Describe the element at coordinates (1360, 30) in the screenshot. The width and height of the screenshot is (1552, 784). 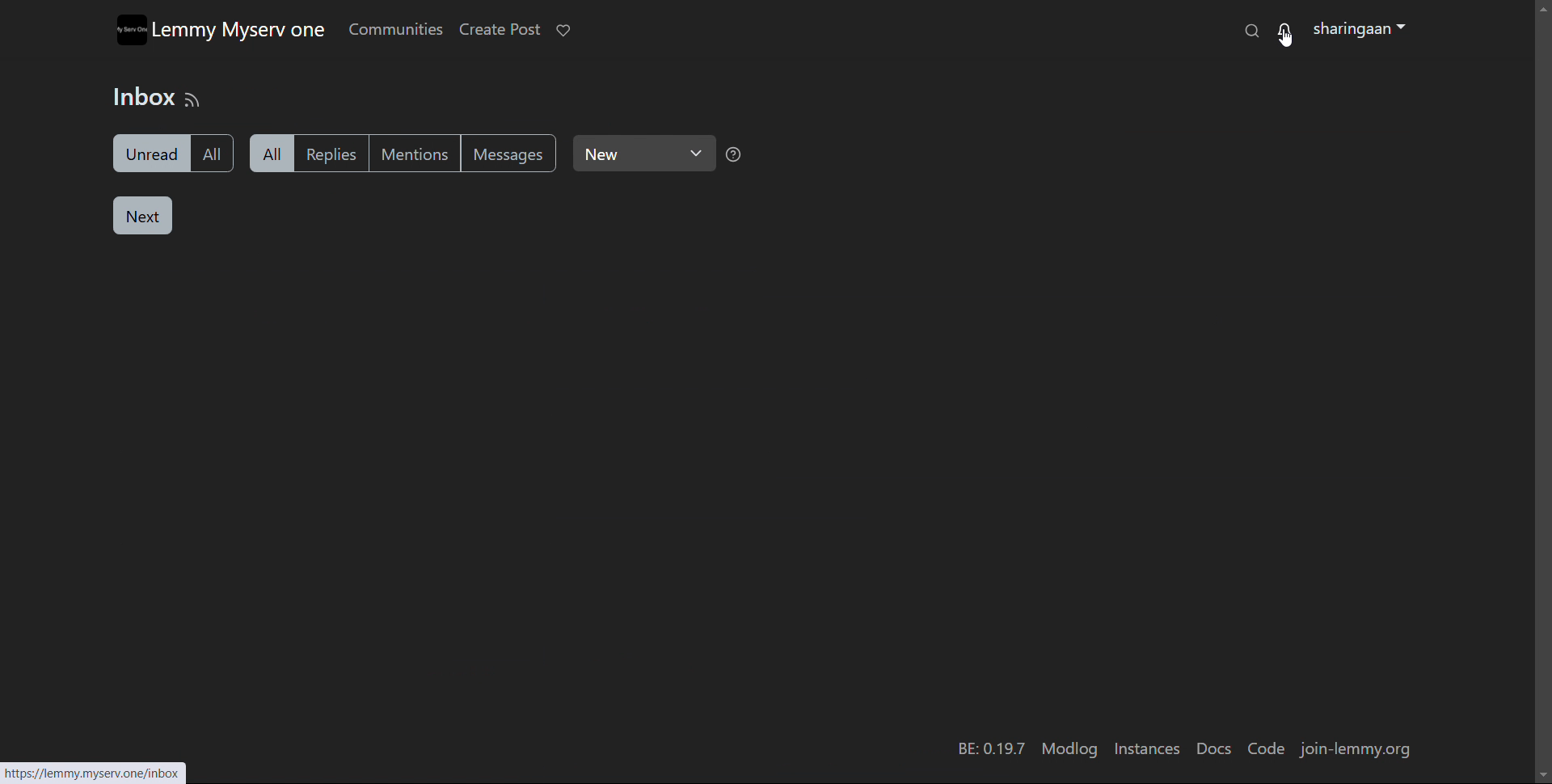
I see `sharingaan(profile)` at that location.